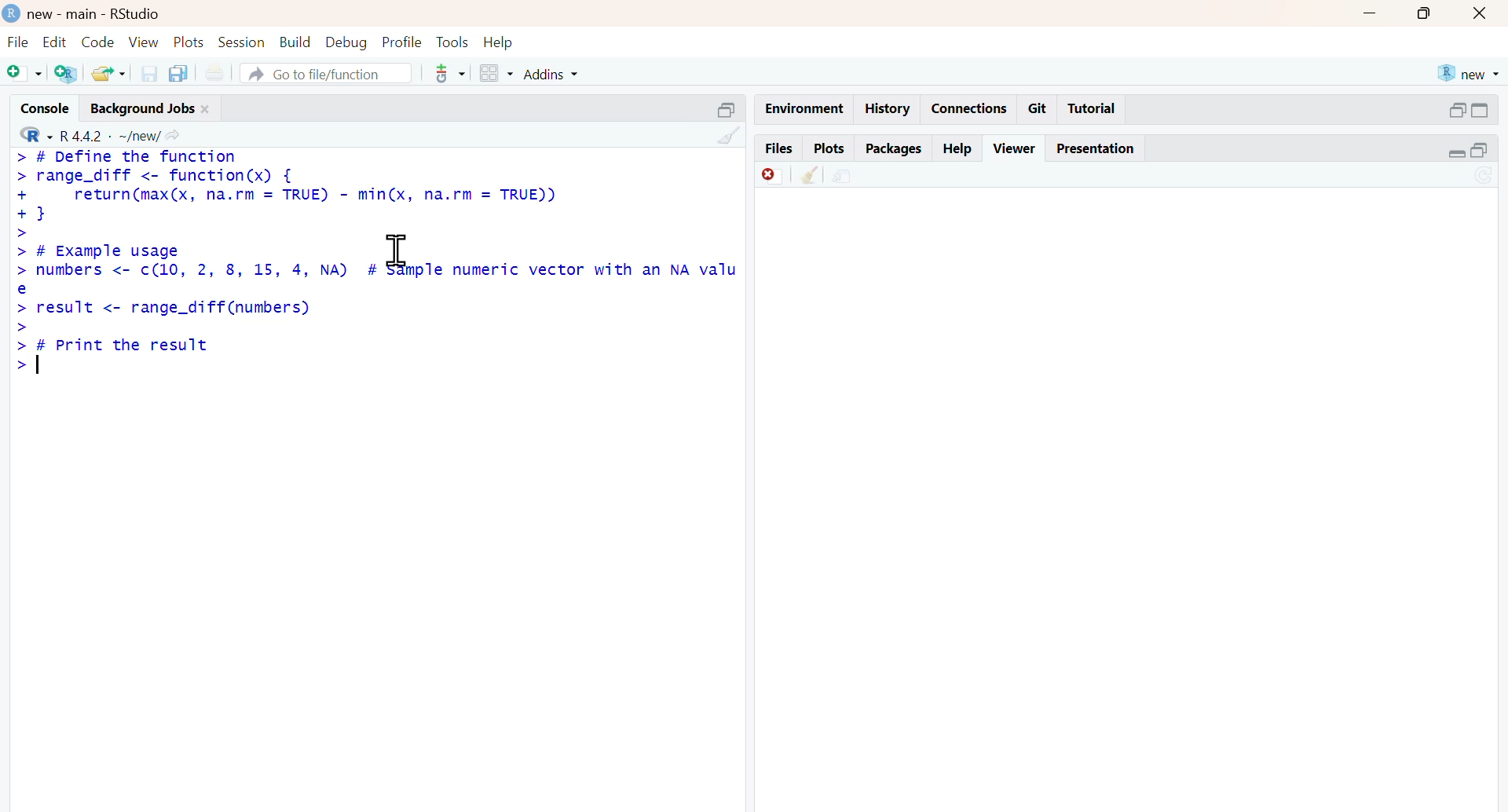 The height and width of the screenshot is (812, 1508). Describe the element at coordinates (243, 43) in the screenshot. I see `session` at that location.